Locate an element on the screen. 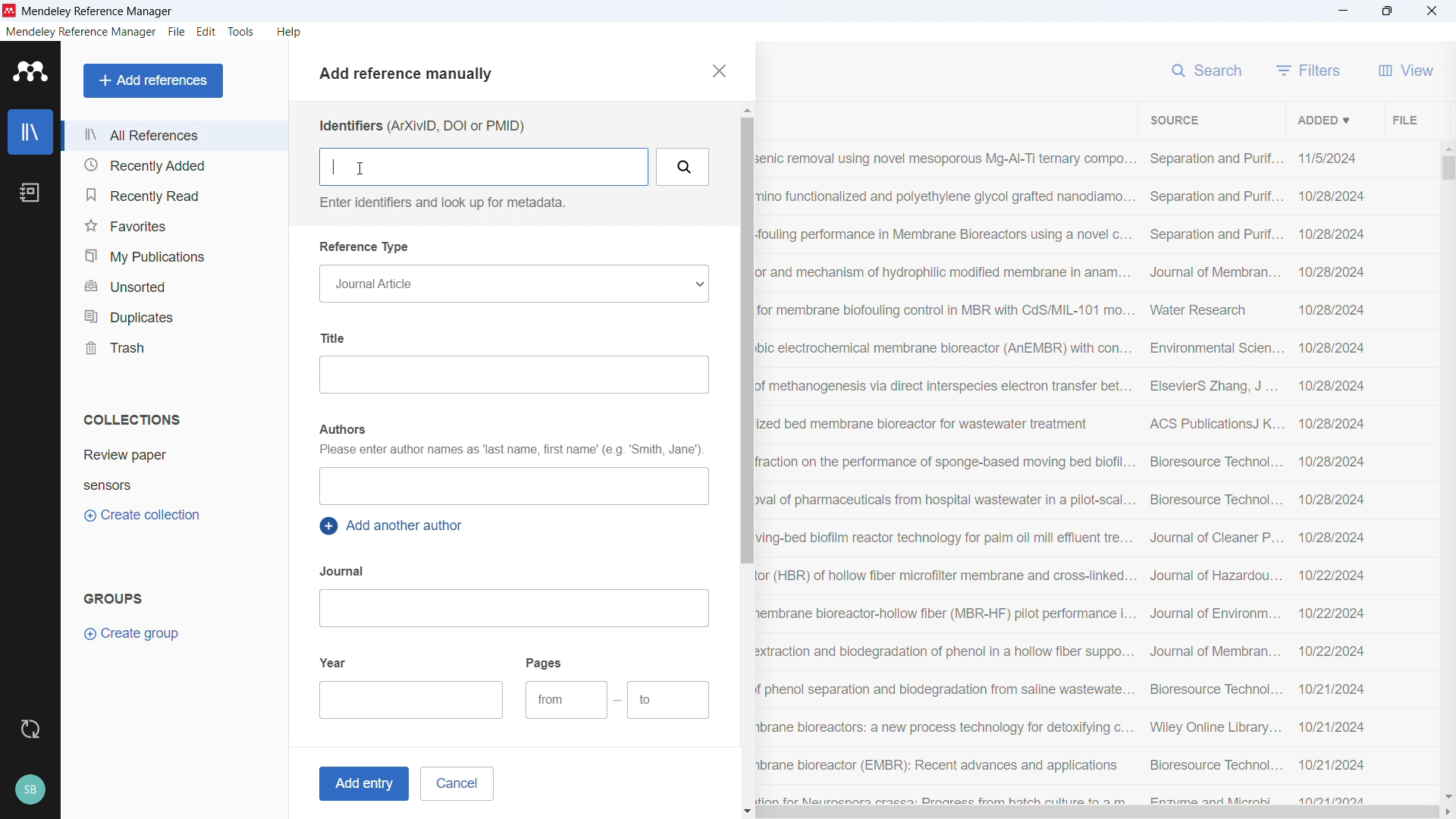  Edit  is located at coordinates (207, 32).